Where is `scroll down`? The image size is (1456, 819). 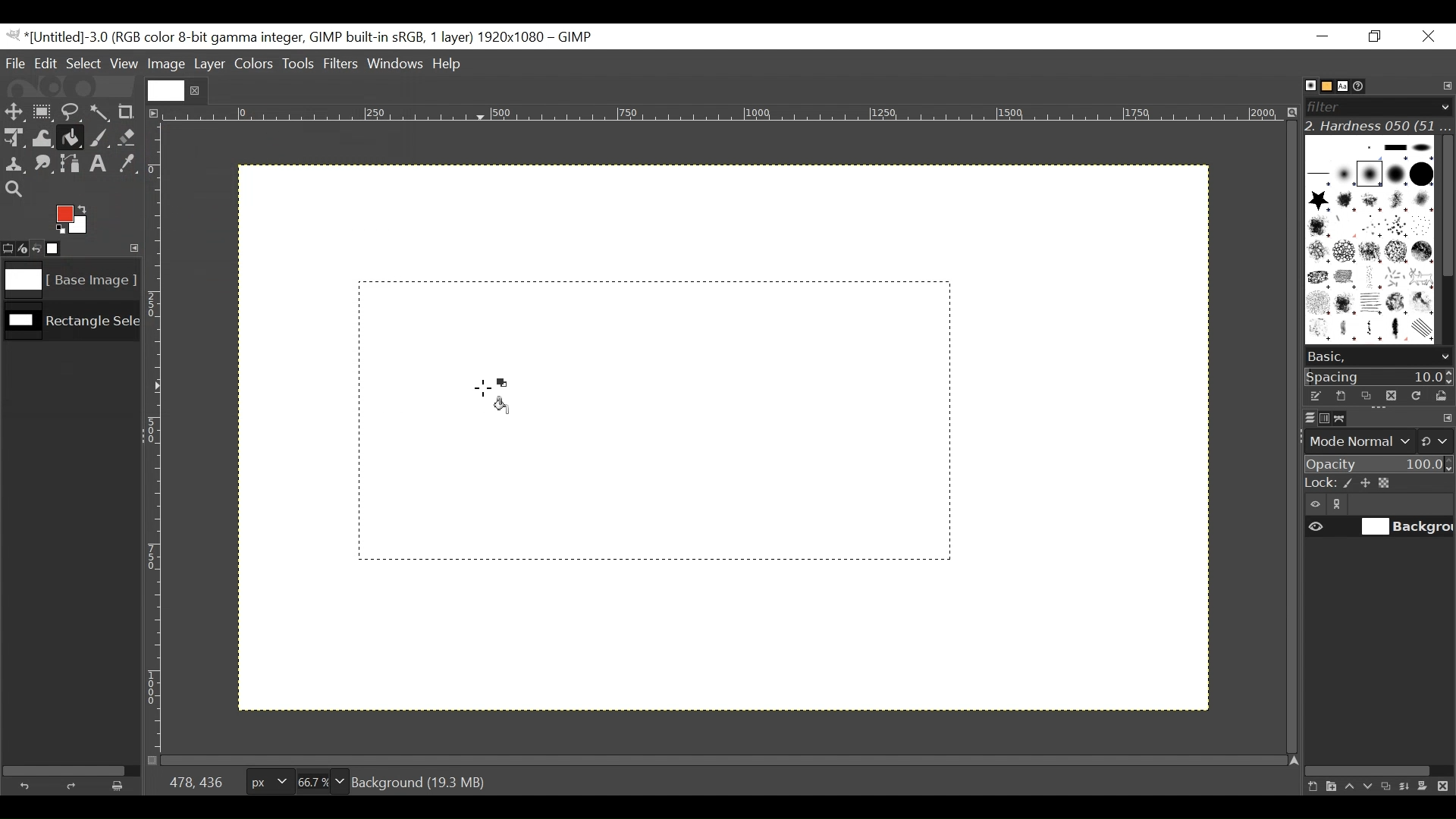 scroll down is located at coordinates (1445, 357).